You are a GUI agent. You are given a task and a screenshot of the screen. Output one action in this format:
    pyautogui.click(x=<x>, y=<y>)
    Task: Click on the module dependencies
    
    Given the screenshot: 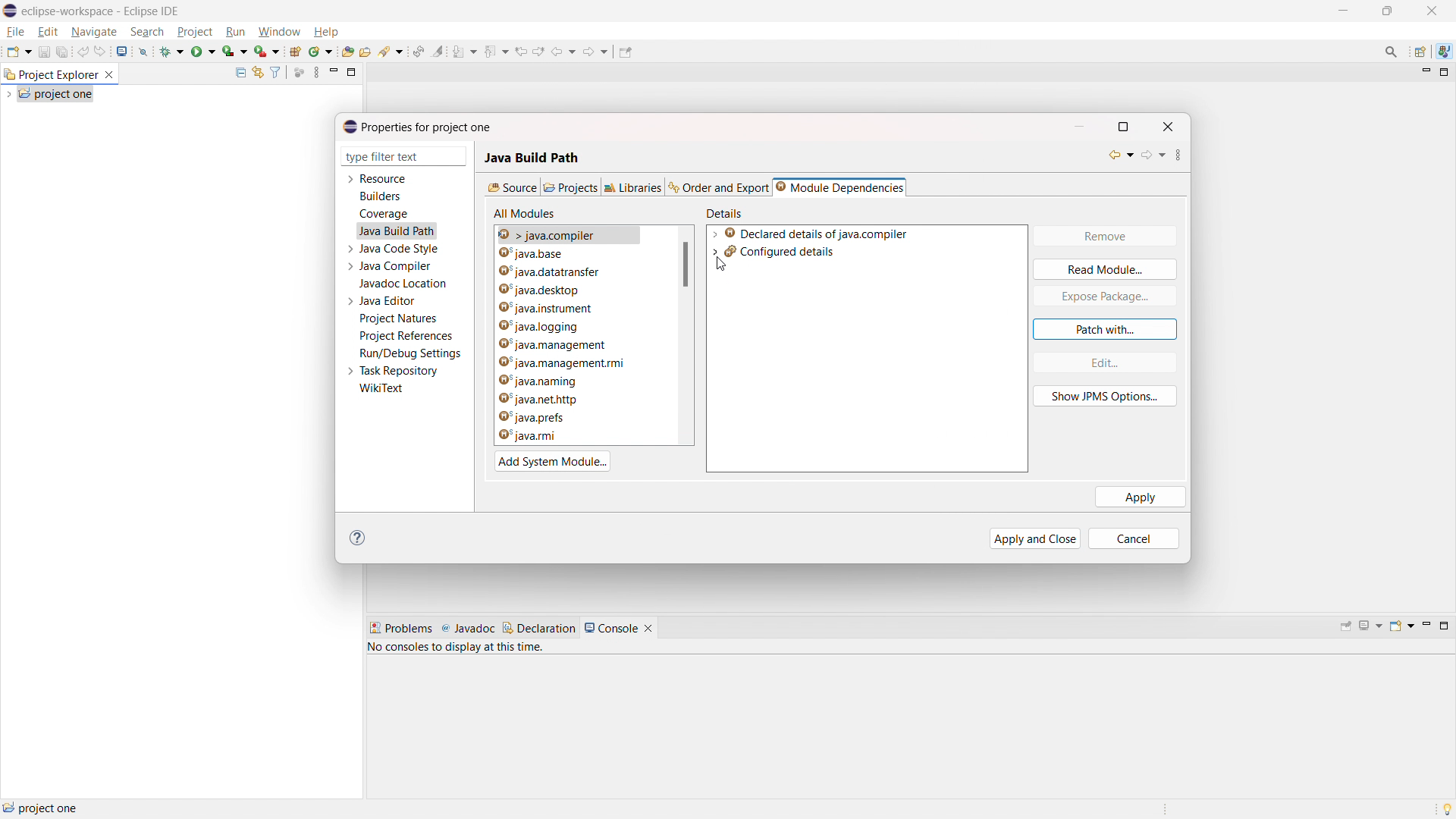 What is the action you would take?
    pyautogui.click(x=839, y=187)
    